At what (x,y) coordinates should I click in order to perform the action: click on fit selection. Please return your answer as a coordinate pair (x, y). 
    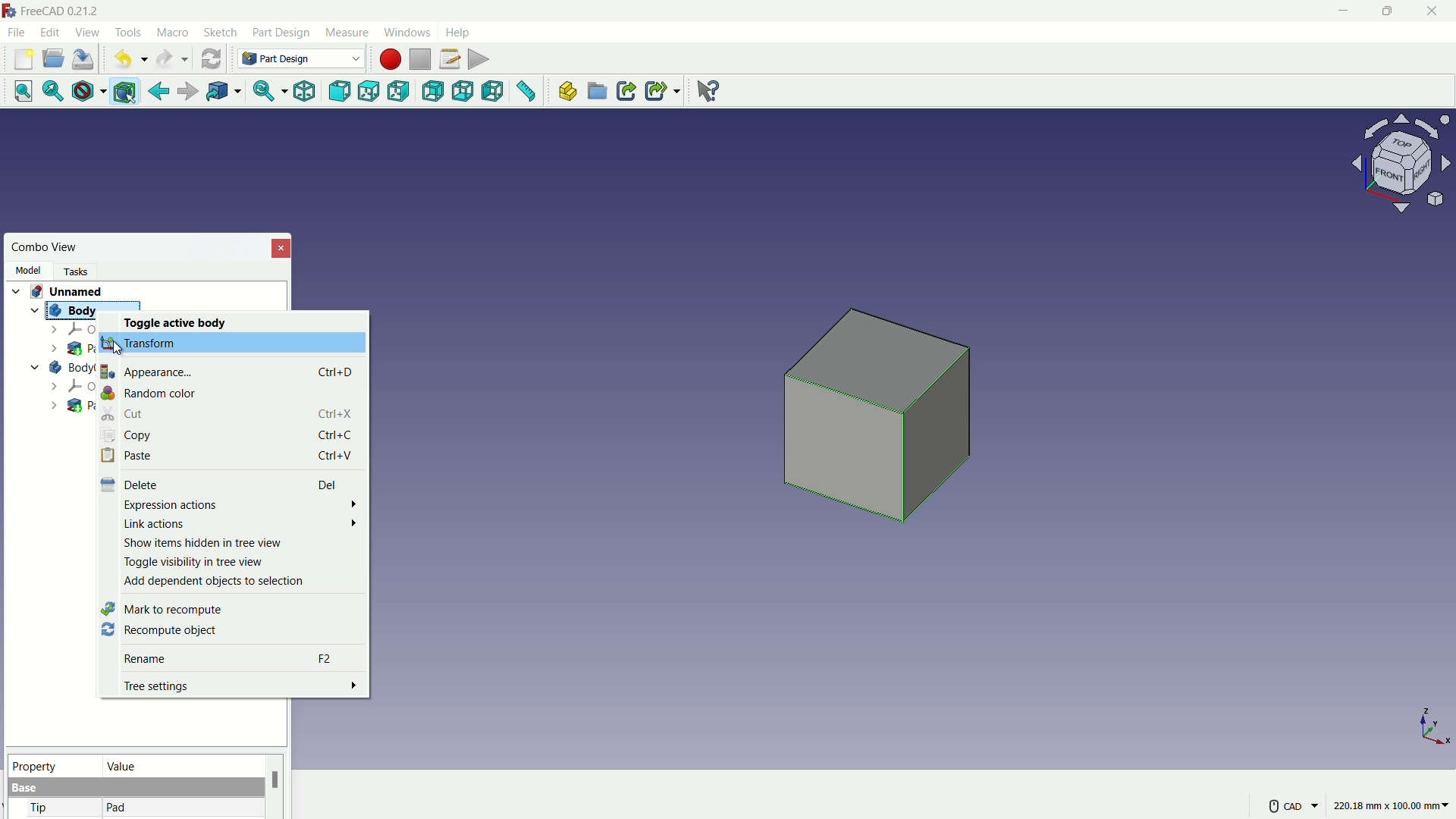
    Looking at the image, I should click on (49, 92).